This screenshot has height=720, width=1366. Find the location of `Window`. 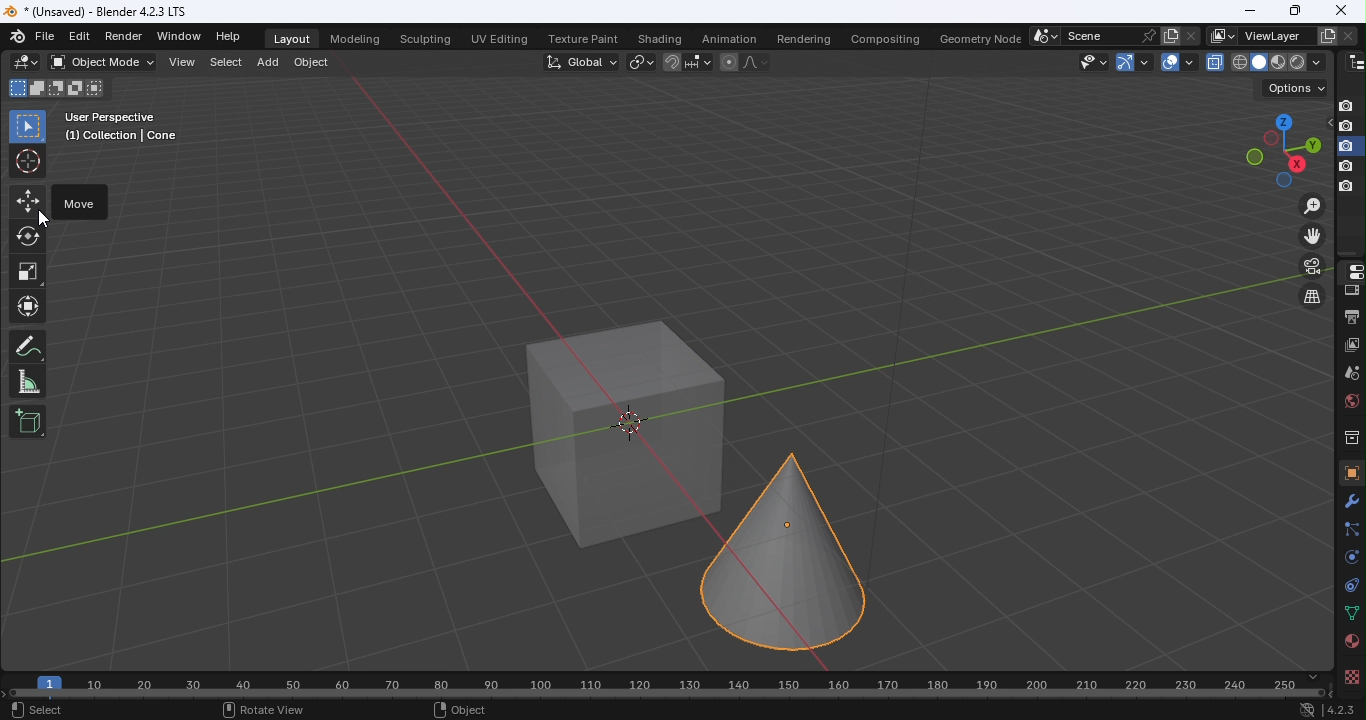

Window is located at coordinates (178, 36).